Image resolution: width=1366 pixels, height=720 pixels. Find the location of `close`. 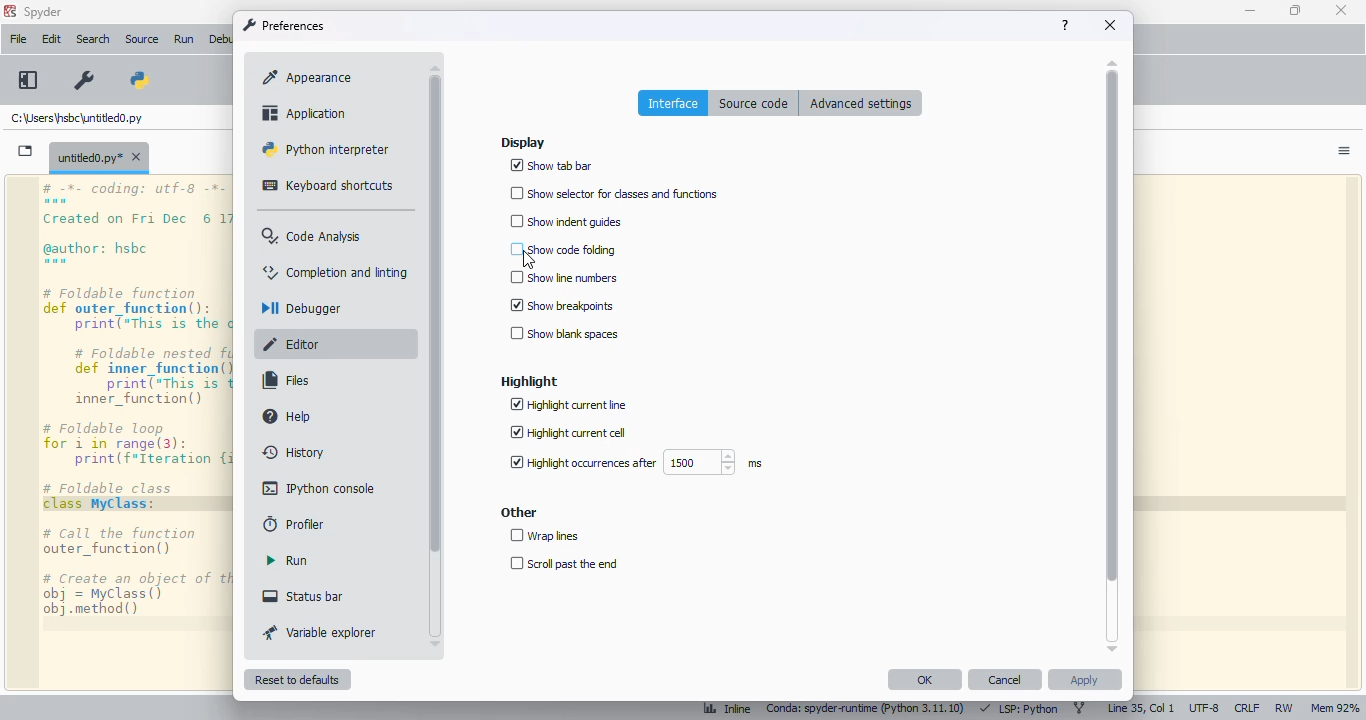

close is located at coordinates (1111, 25).